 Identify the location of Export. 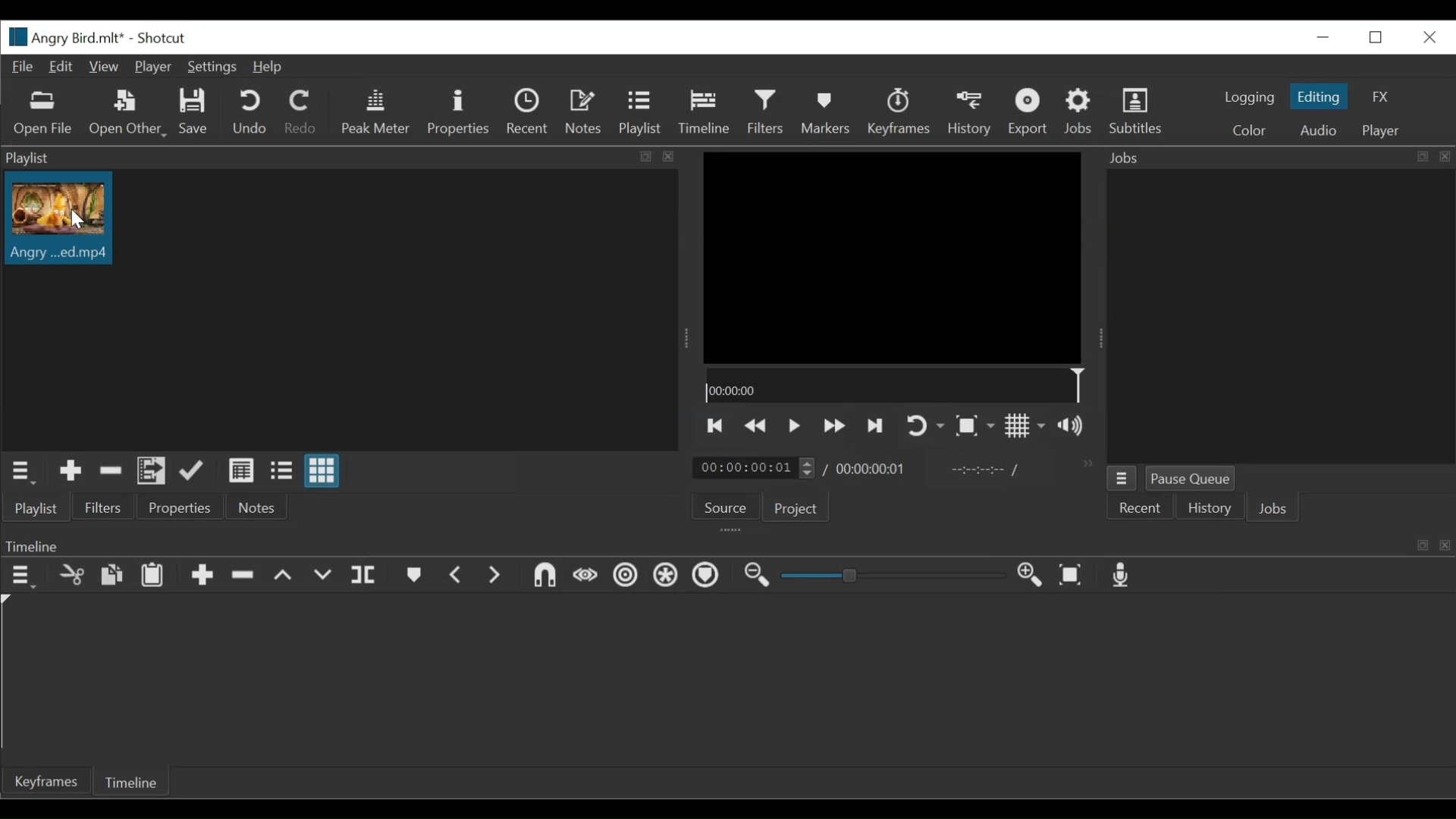
(1031, 114).